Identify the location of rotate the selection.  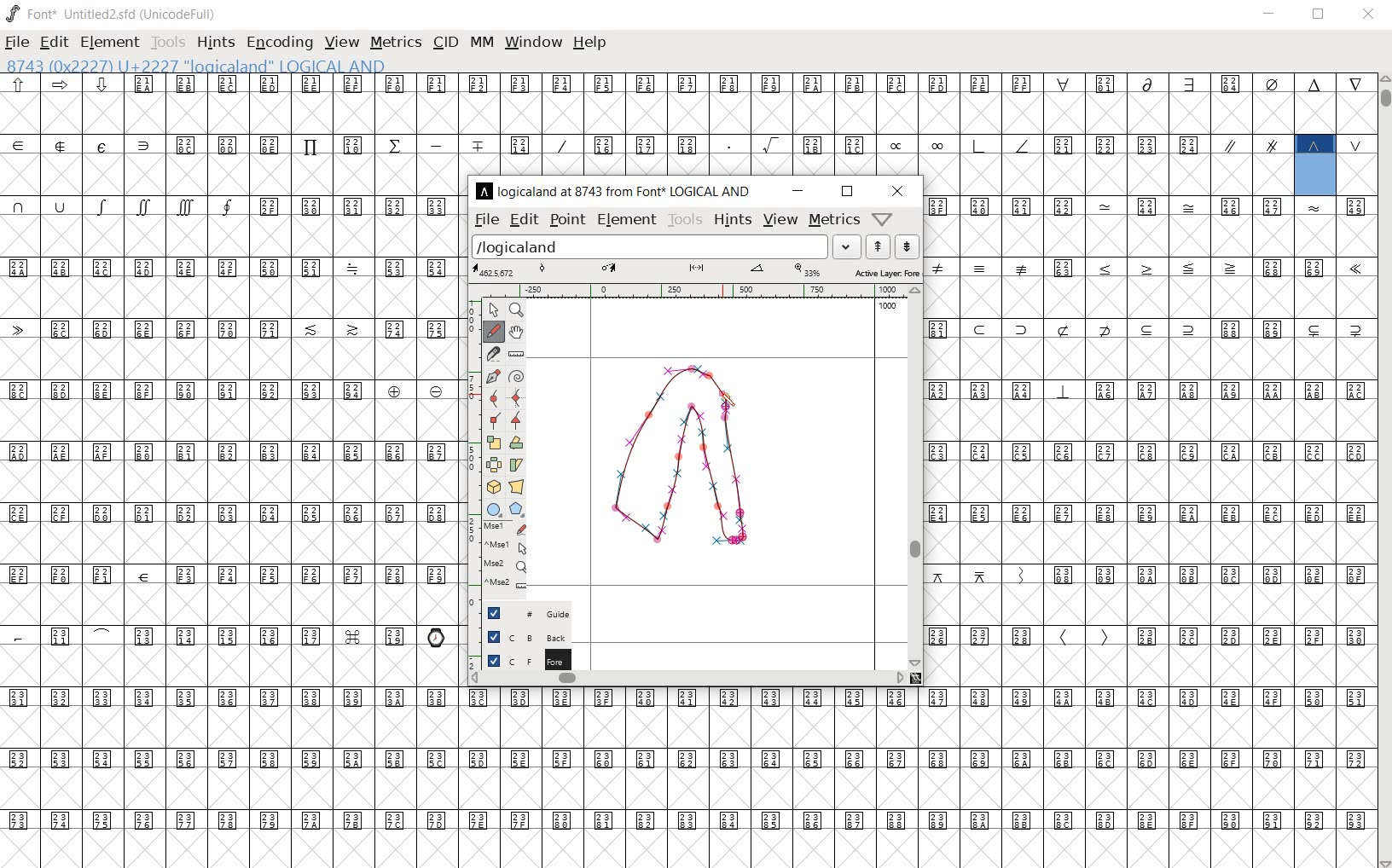
(520, 443).